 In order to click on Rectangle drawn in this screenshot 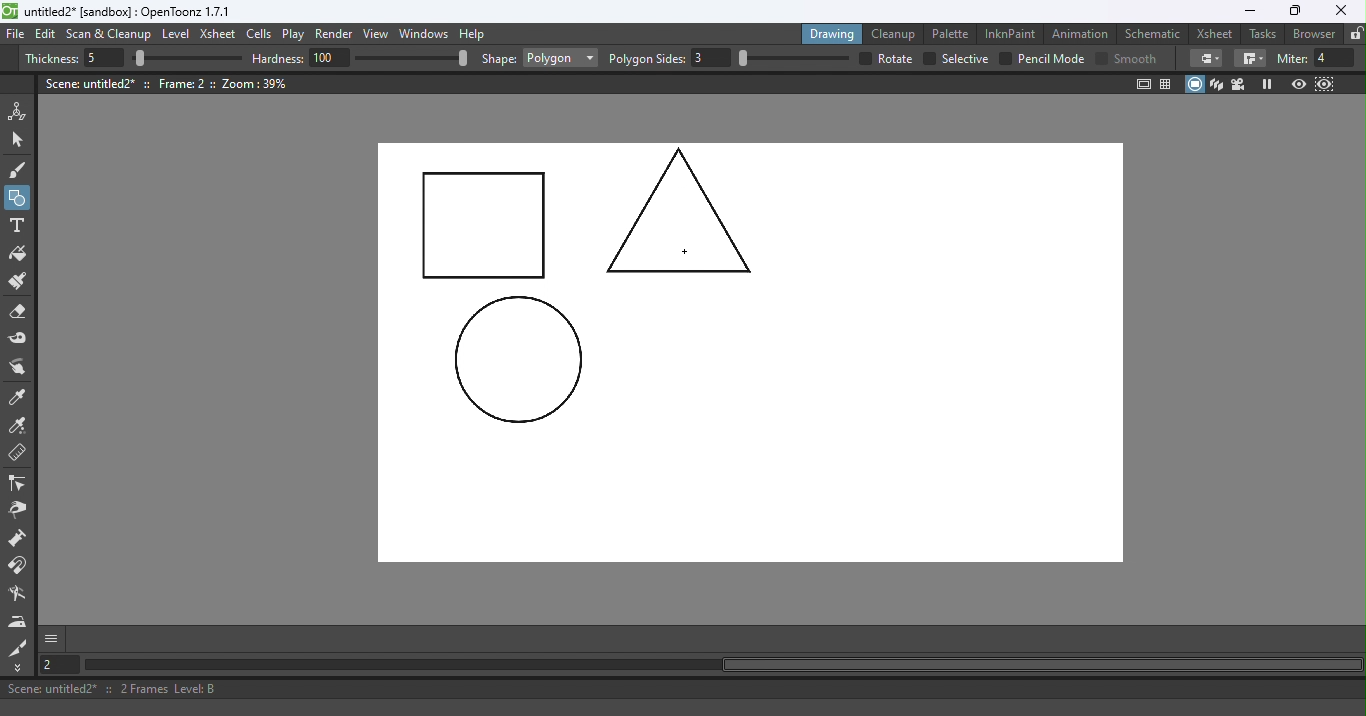, I will do `click(485, 227)`.